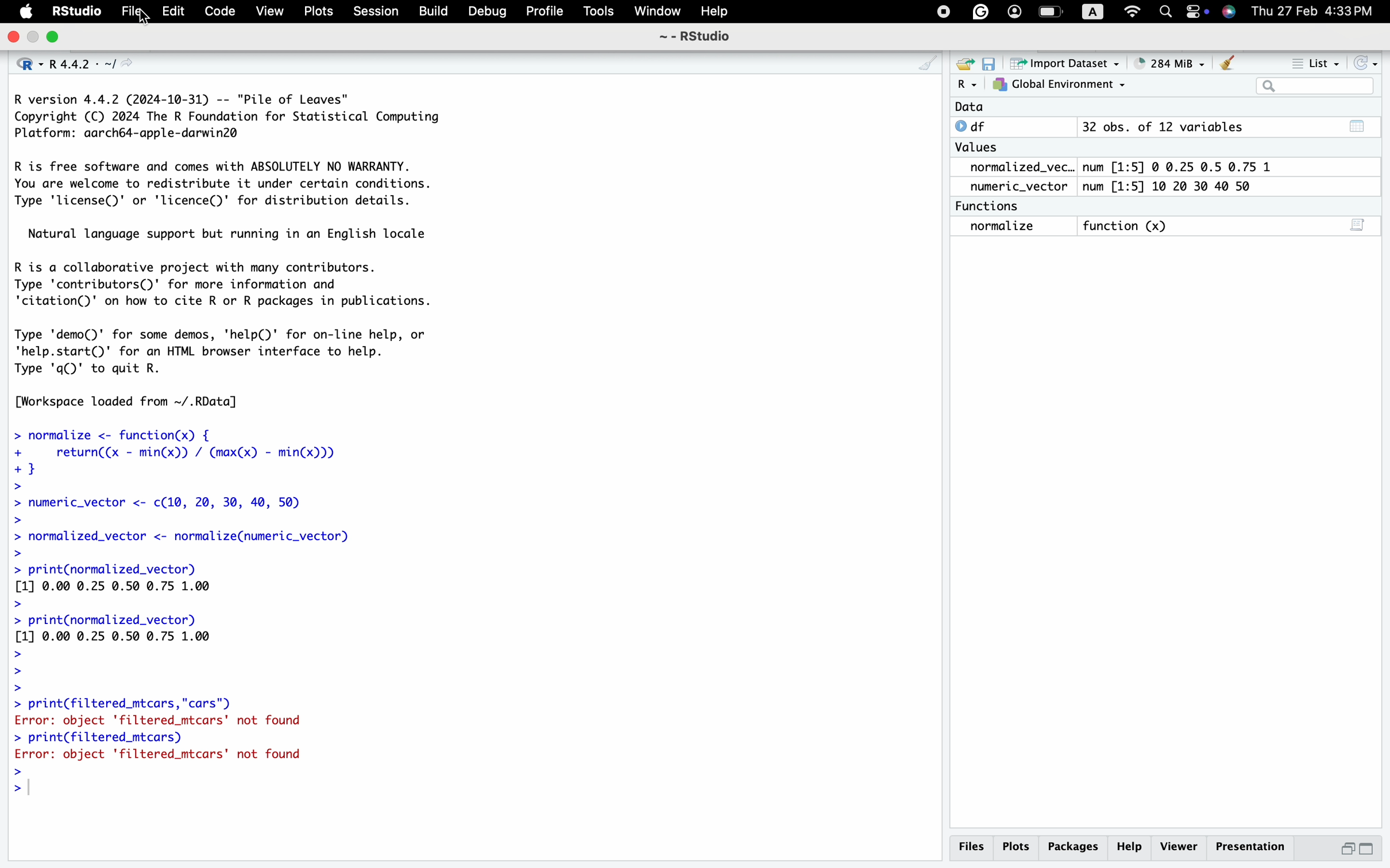 This screenshot has height=868, width=1390. Describe the element at coordinates (980, 149) in the screenshot. I see `Values` at that location.